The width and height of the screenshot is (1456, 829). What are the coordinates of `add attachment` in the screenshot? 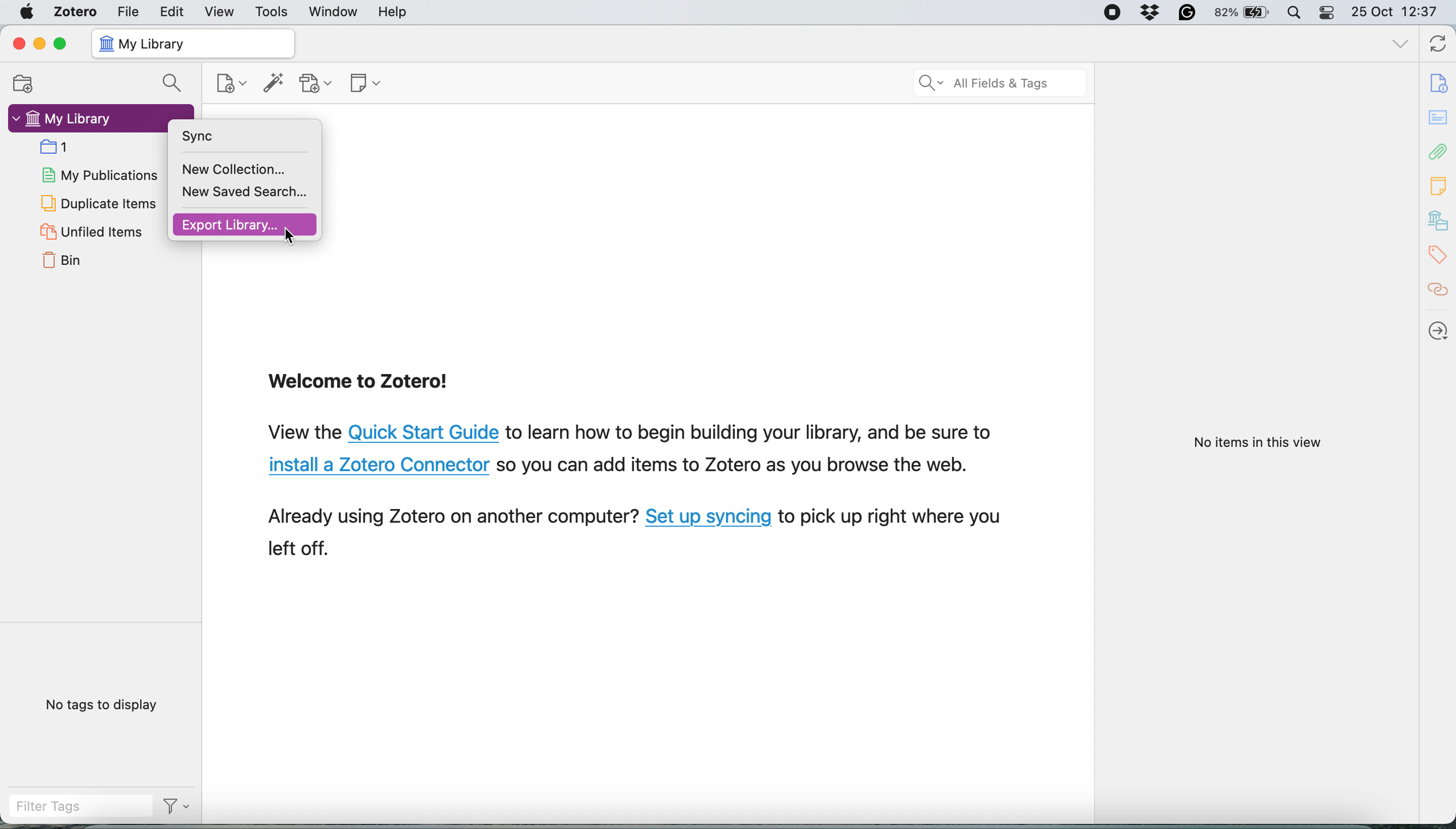 It's located at (318, 83).